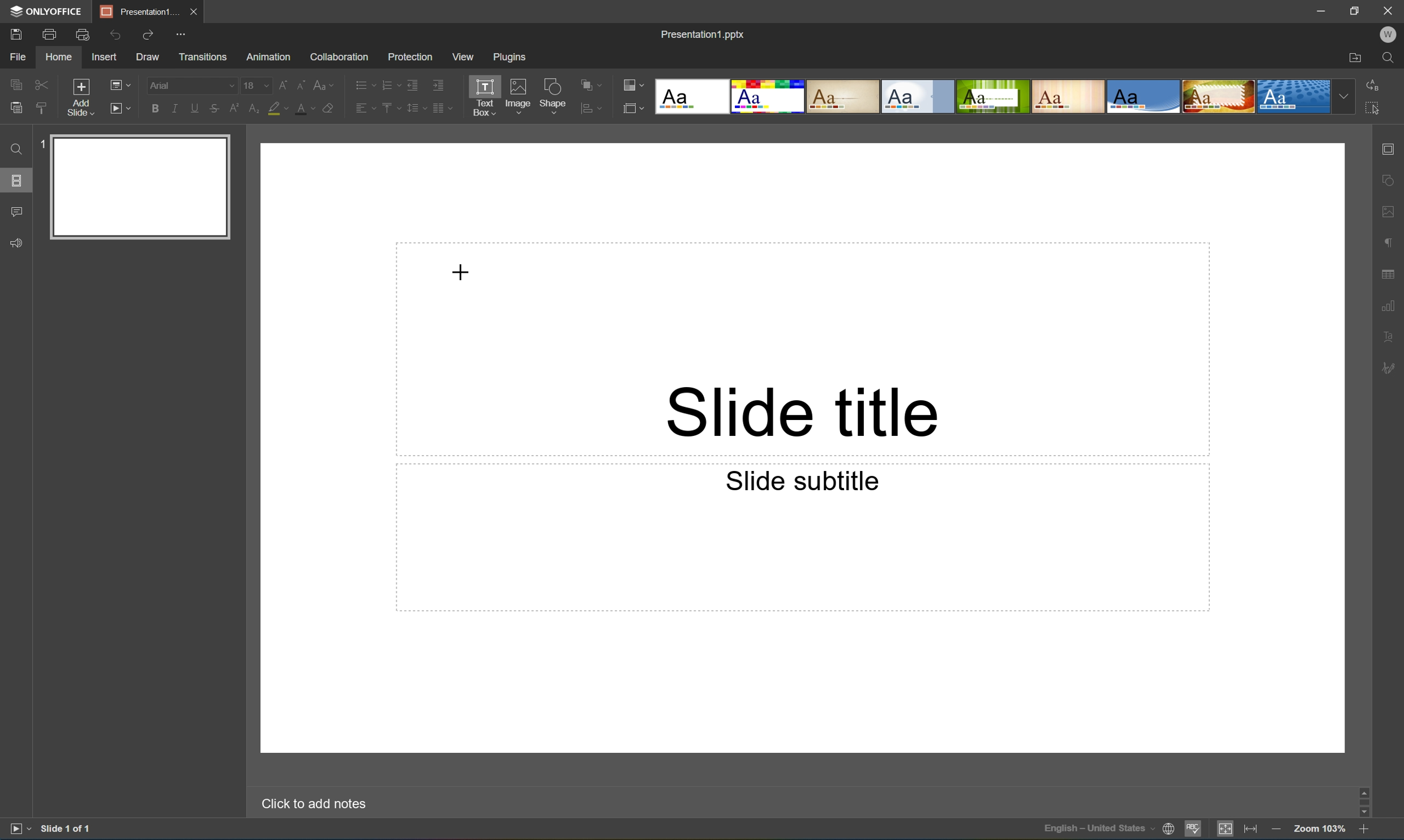 The width and height of the screenshot is (1404, 840). What do you see at coordinates (1390, 35) in the screenshot?
I see `W` at bounding box center [1390, 35].